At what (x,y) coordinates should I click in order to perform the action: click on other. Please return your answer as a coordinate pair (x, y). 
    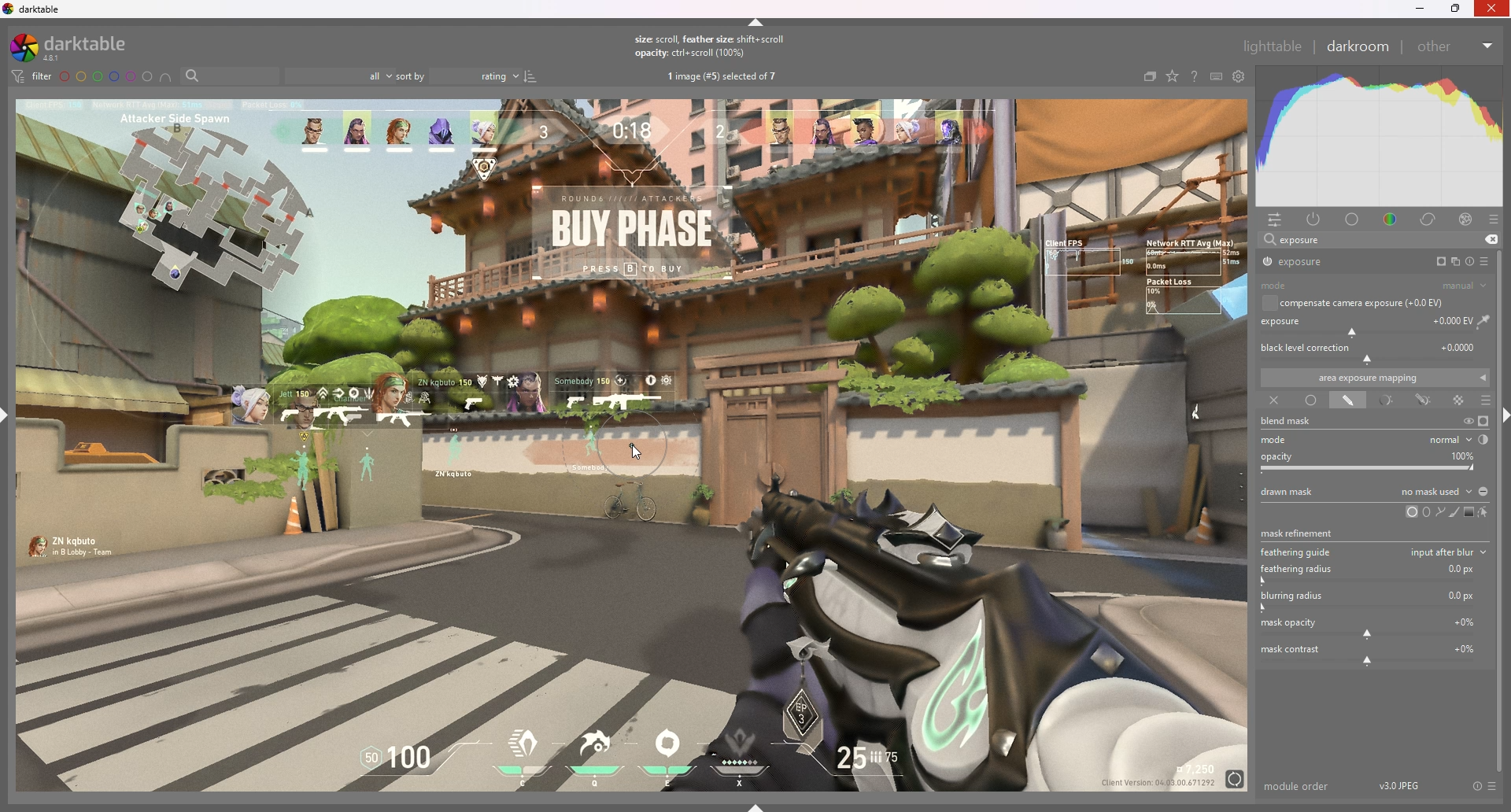
    Looking at the image, I should click on (1456, 46).